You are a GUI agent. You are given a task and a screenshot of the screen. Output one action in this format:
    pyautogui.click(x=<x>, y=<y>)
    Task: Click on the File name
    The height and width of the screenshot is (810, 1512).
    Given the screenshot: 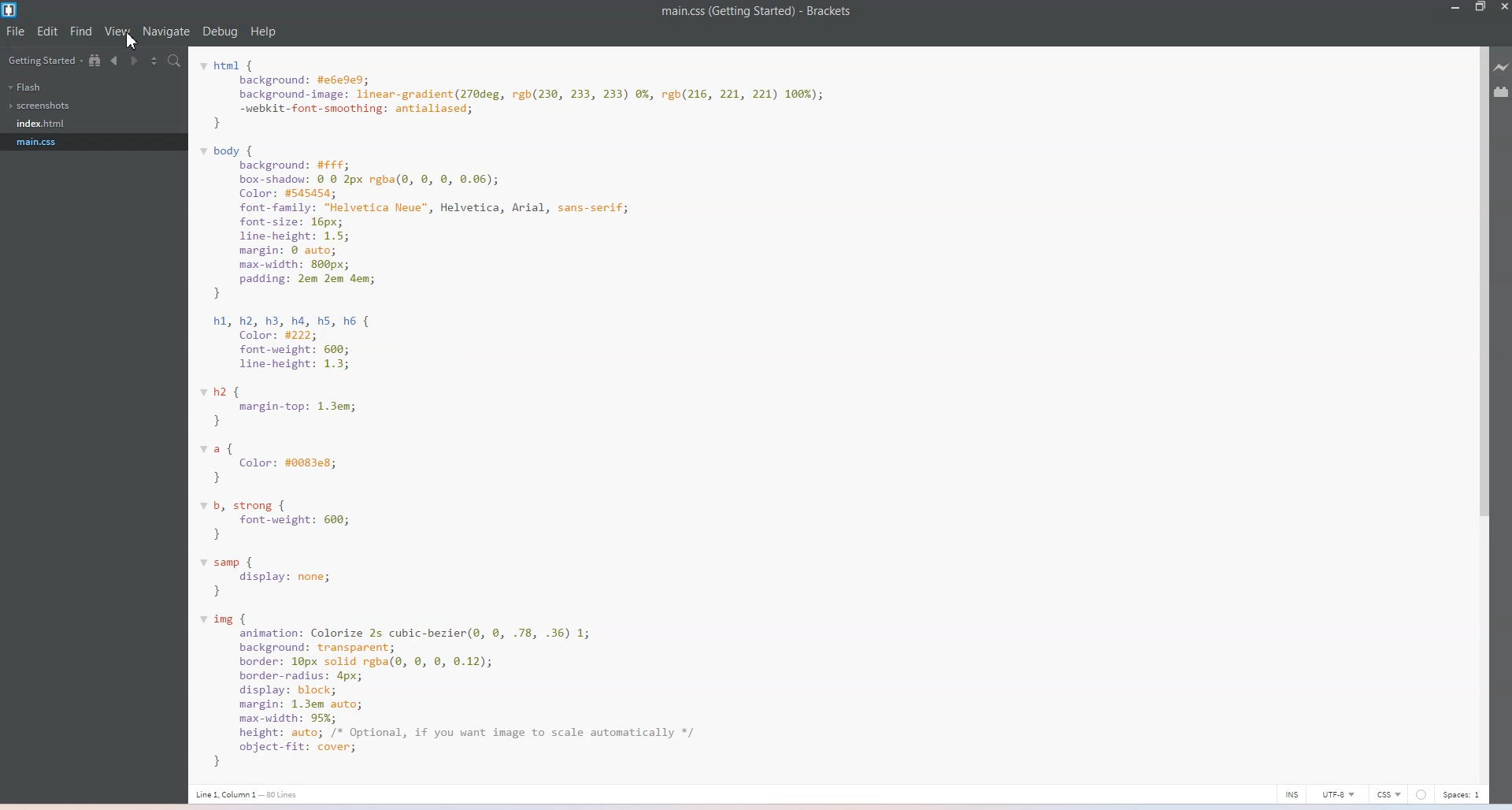 What is the action you would take?
    pyautogui.click(x=757, y=12)
    